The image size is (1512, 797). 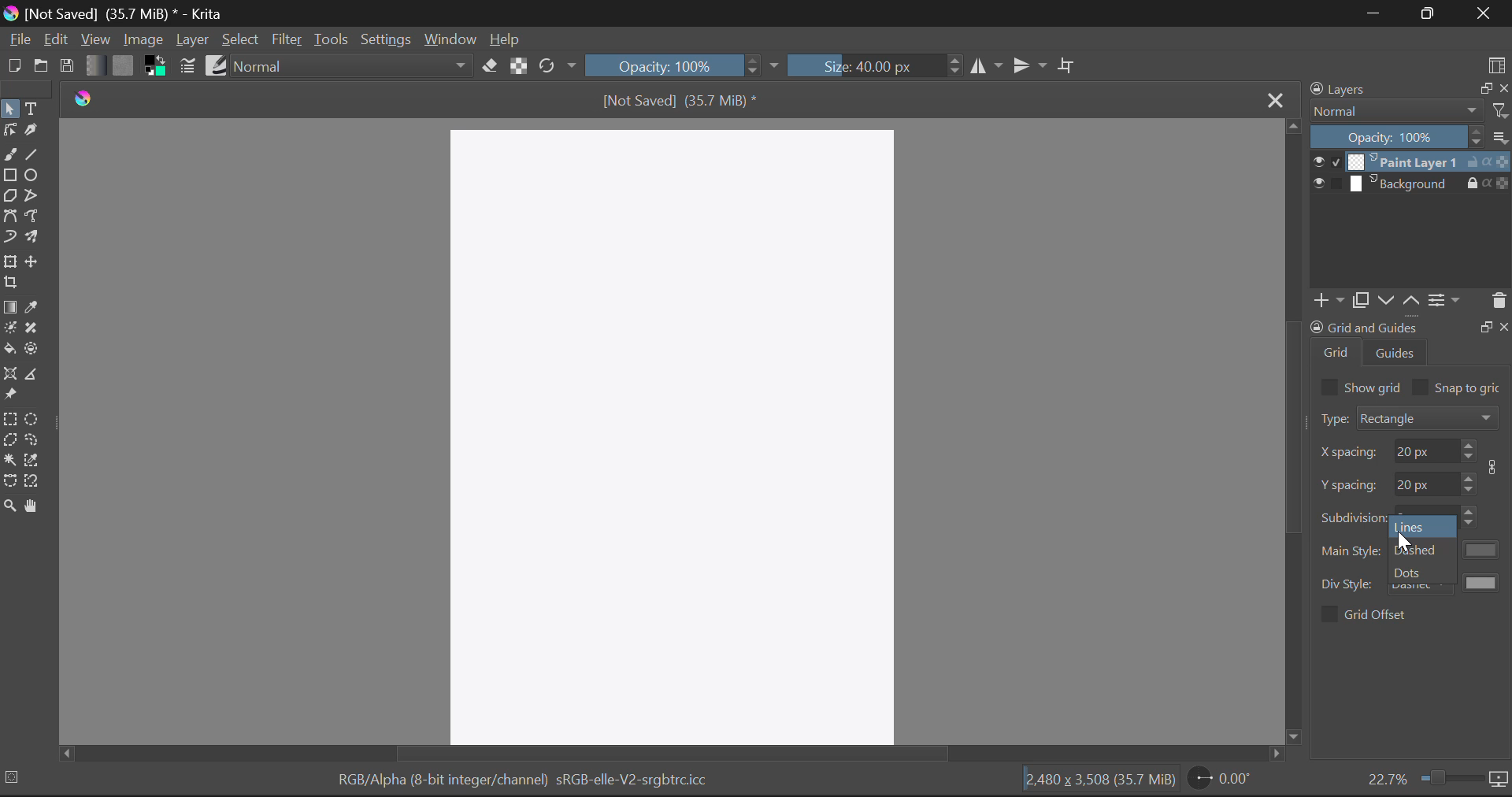 I want to click on Pan, so click(x=34, y=506).